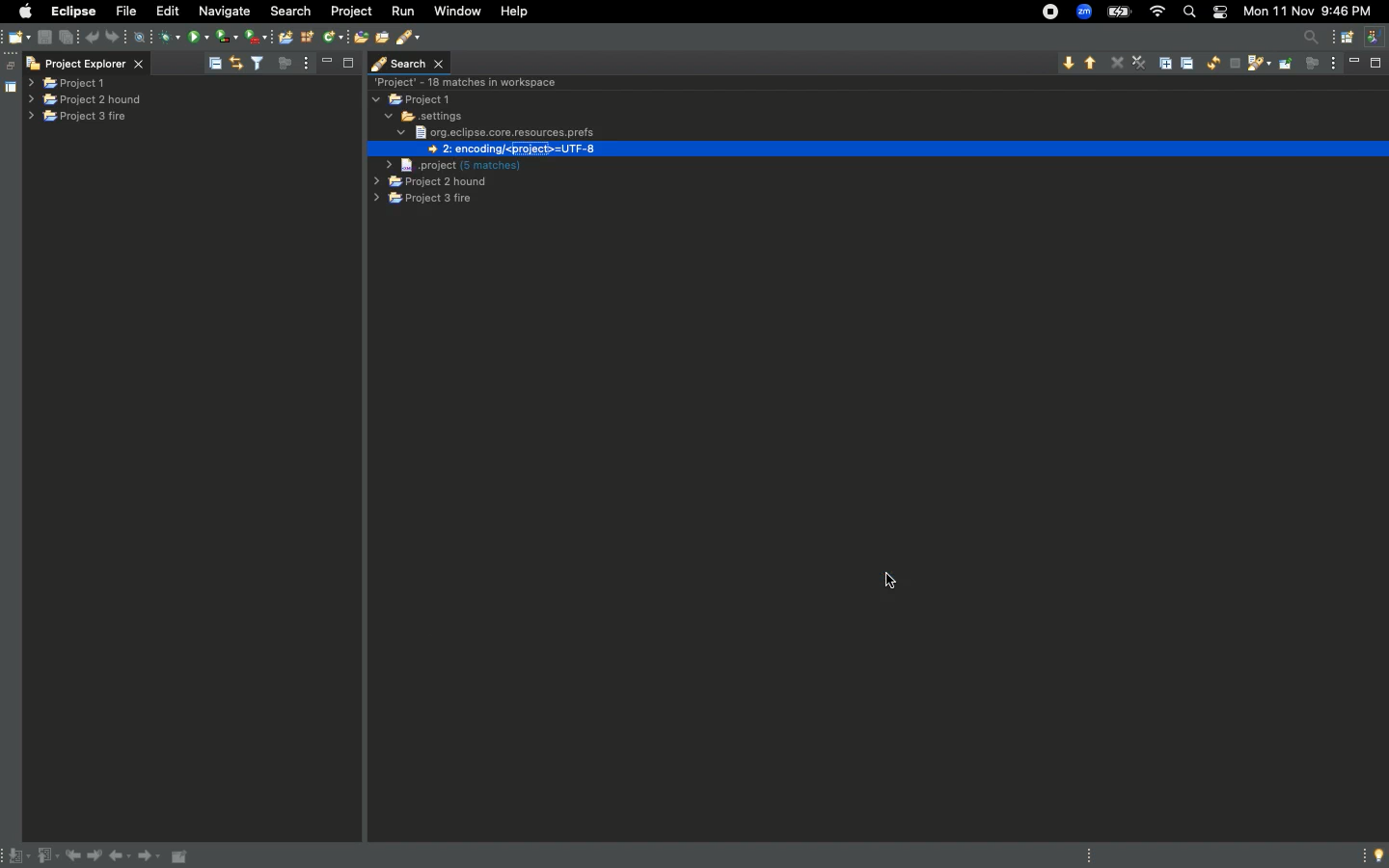 The image size is (1389, 868). I want to click on project 1, so click(68, 84).